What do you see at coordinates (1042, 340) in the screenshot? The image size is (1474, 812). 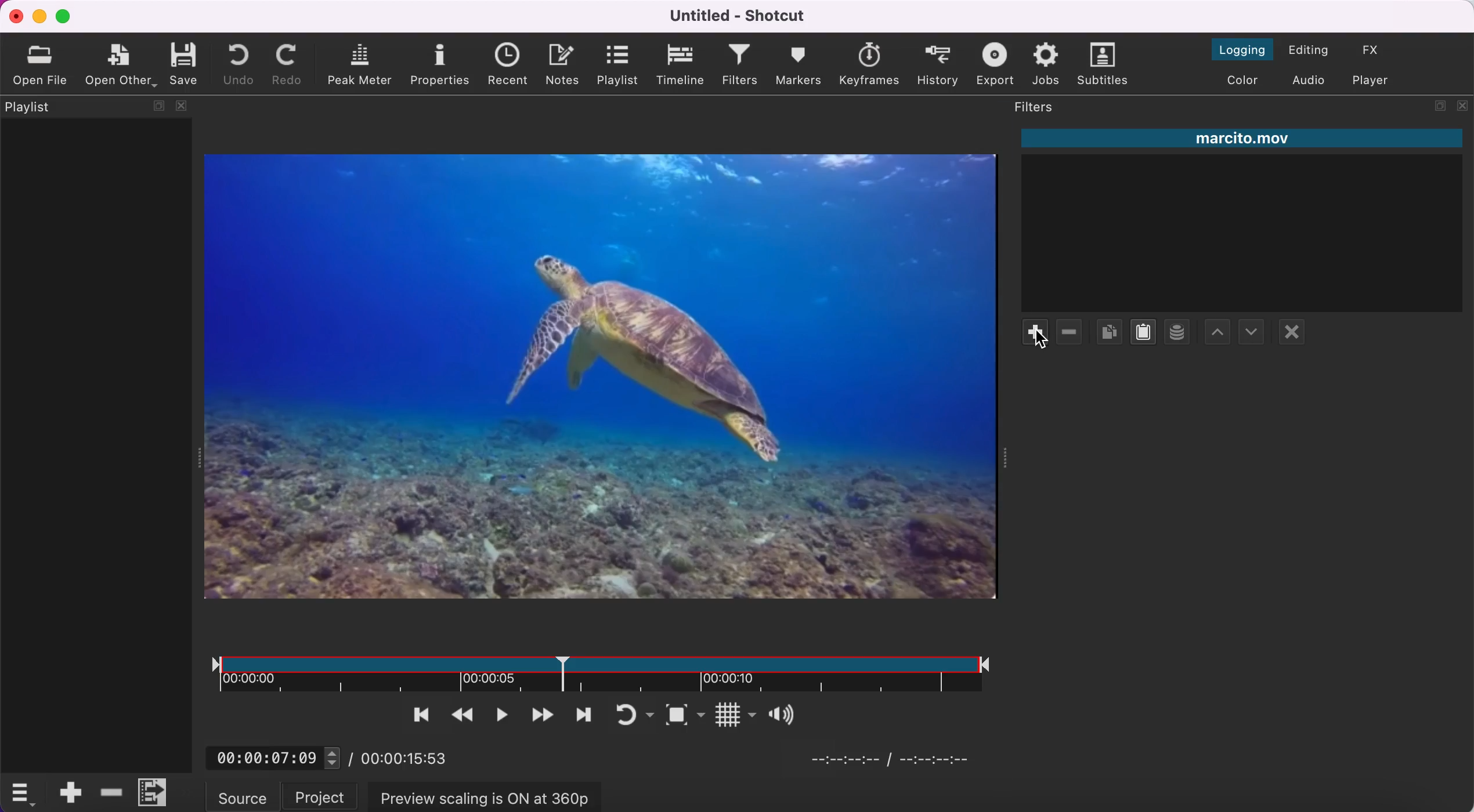 I see `cursor` at bounding box center [1042, 340].